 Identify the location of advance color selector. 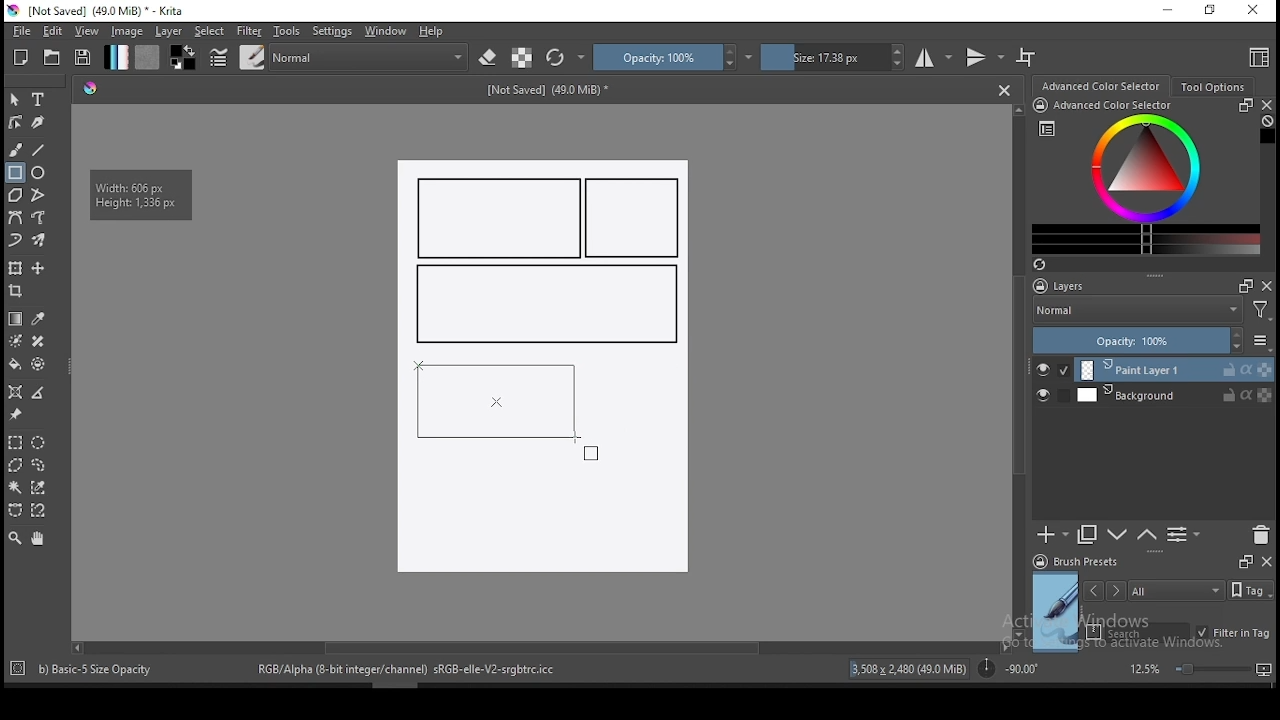
(1103, 85).